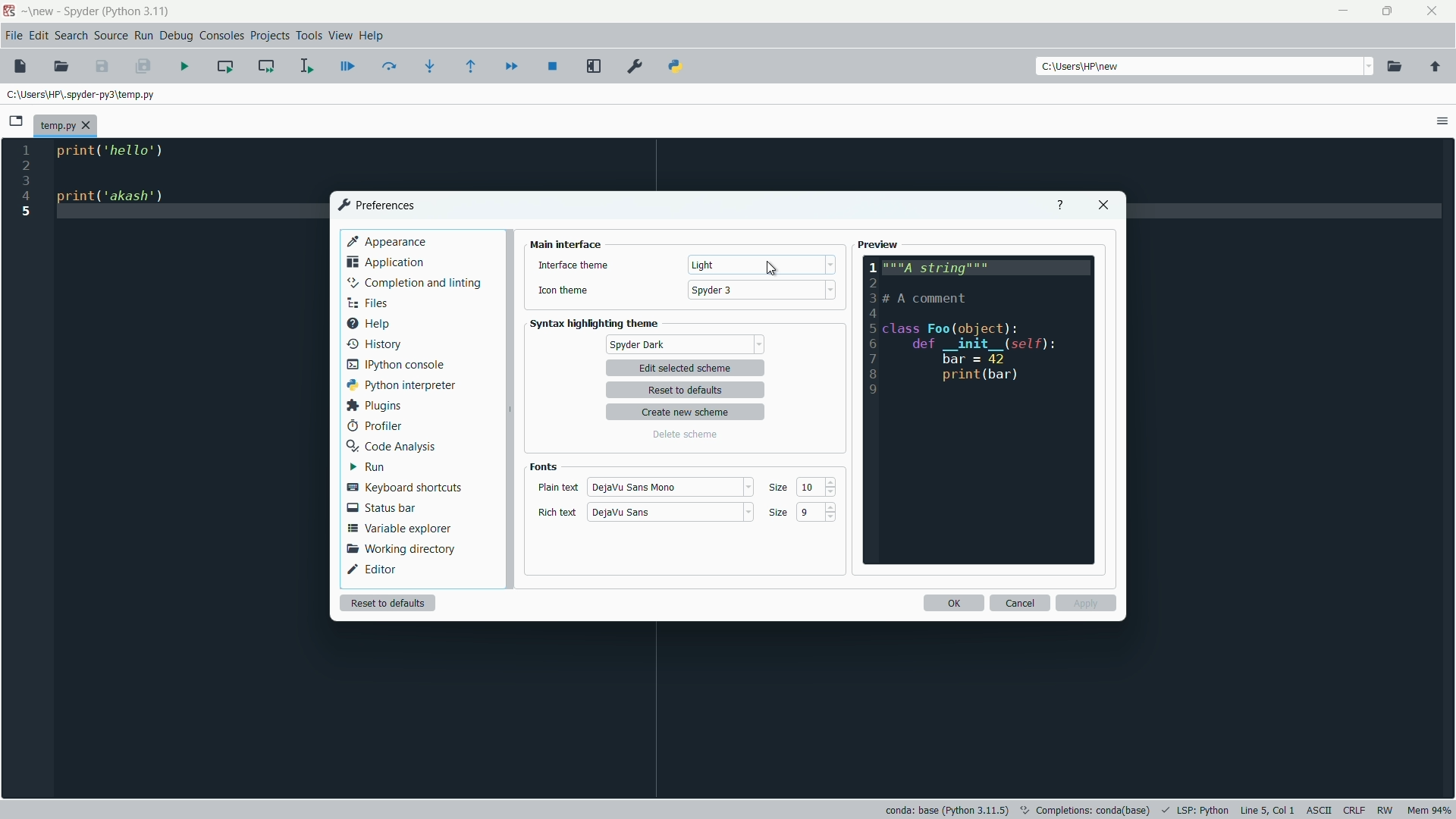  Describe the element at coordinates (511, 66) in the screenshot. I see `continue execution until next breakdown` at that location.